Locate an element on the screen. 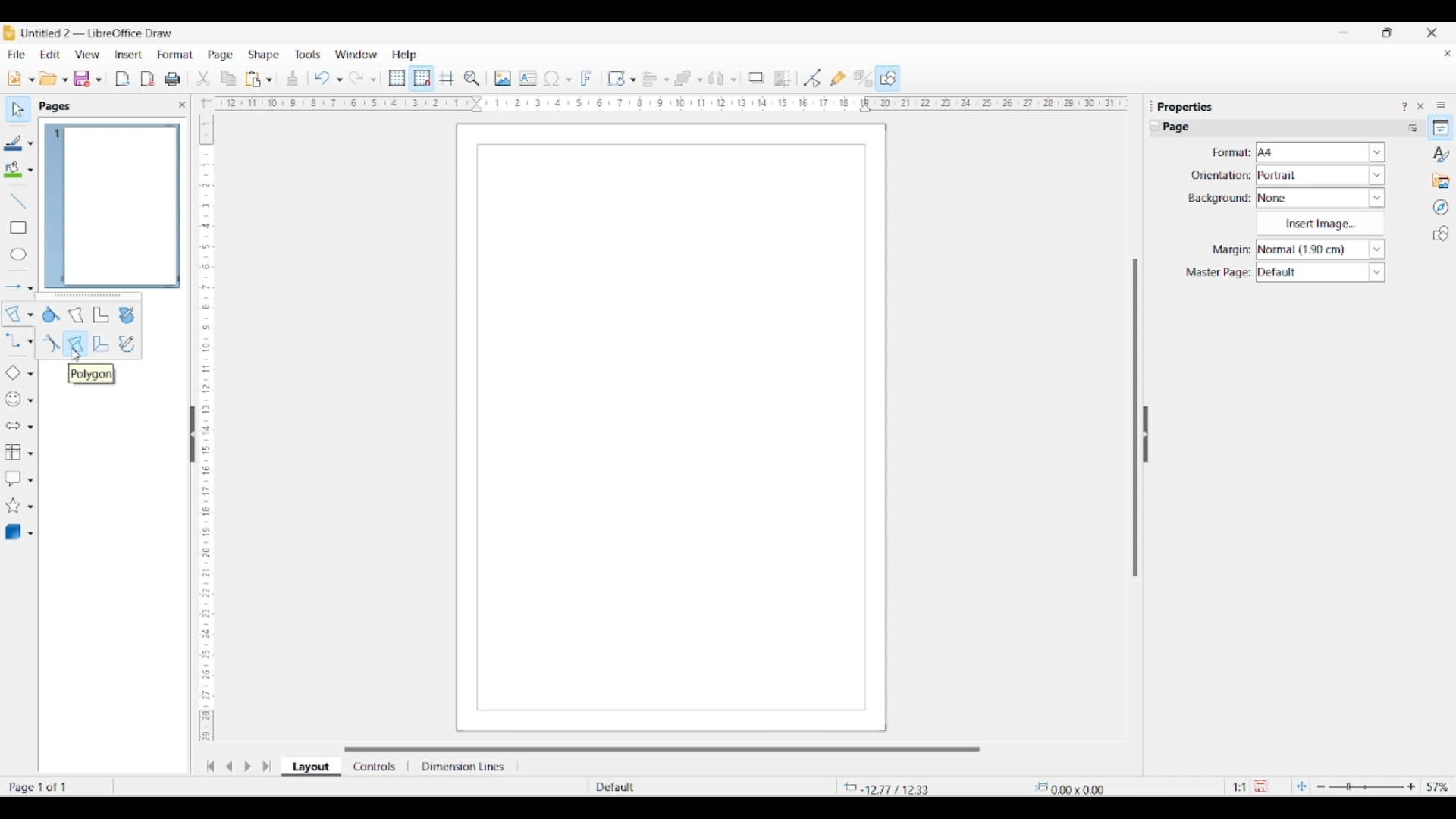  Section title - Properties is located at coordinates (1187, 106).